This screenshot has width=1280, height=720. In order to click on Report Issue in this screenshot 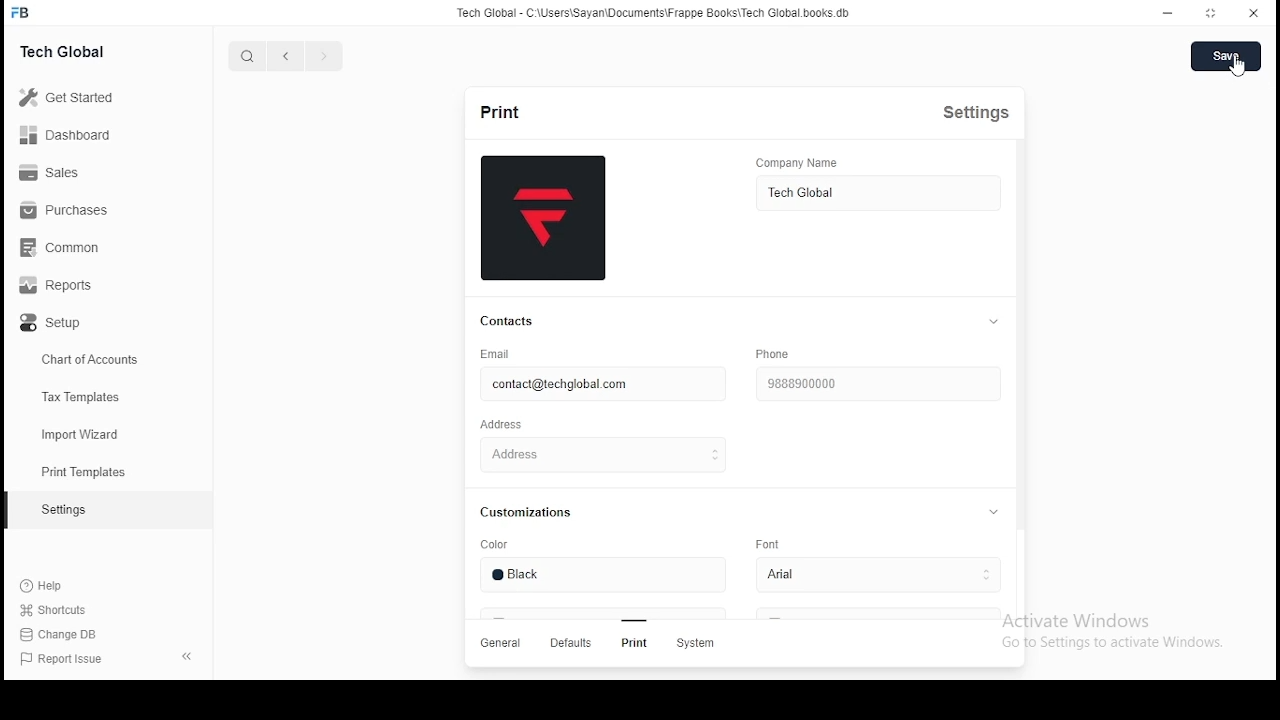, I will do `click(63, 662)`.